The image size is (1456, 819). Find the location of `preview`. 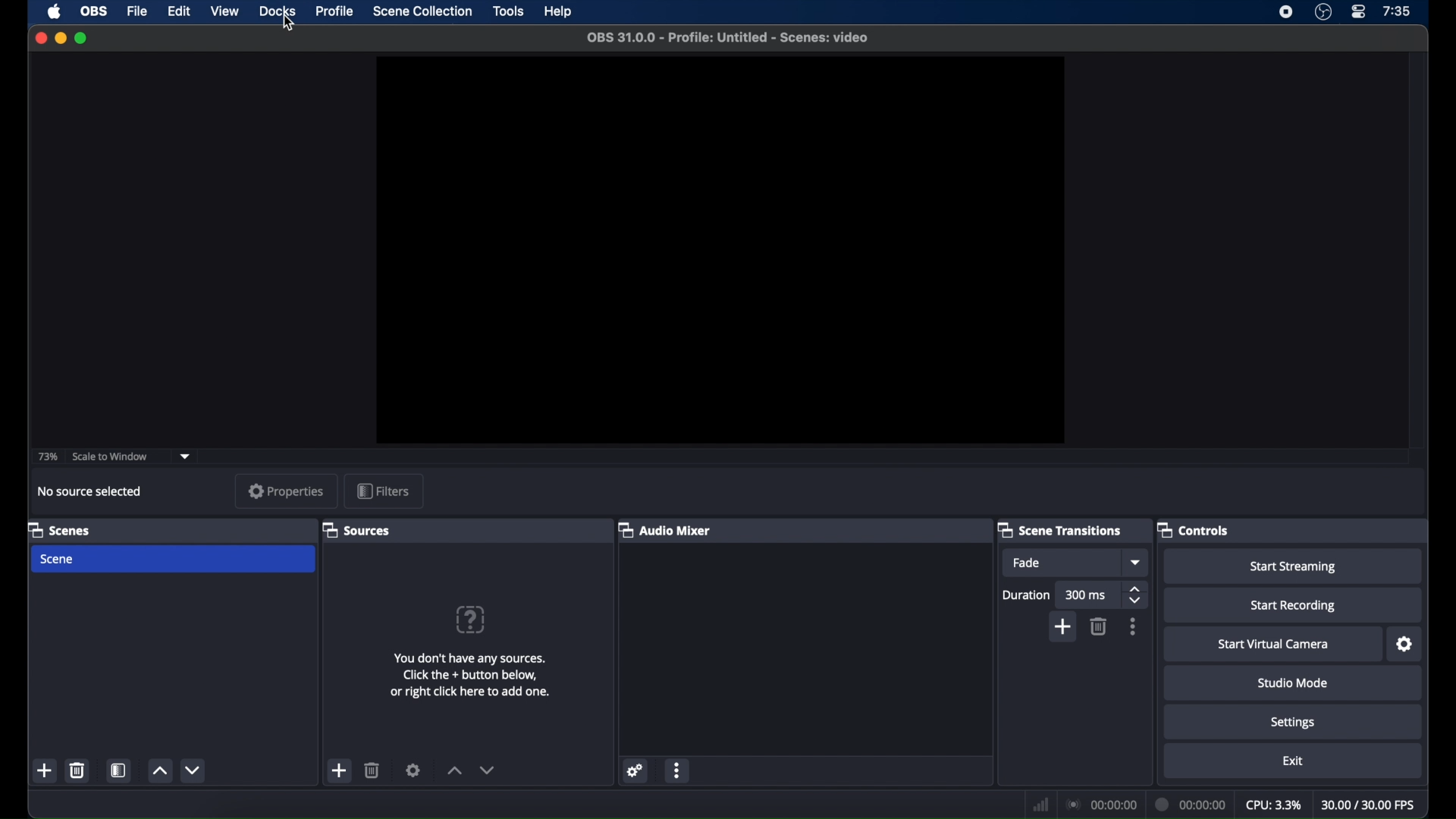

preview is located at coordinates (720, 251).